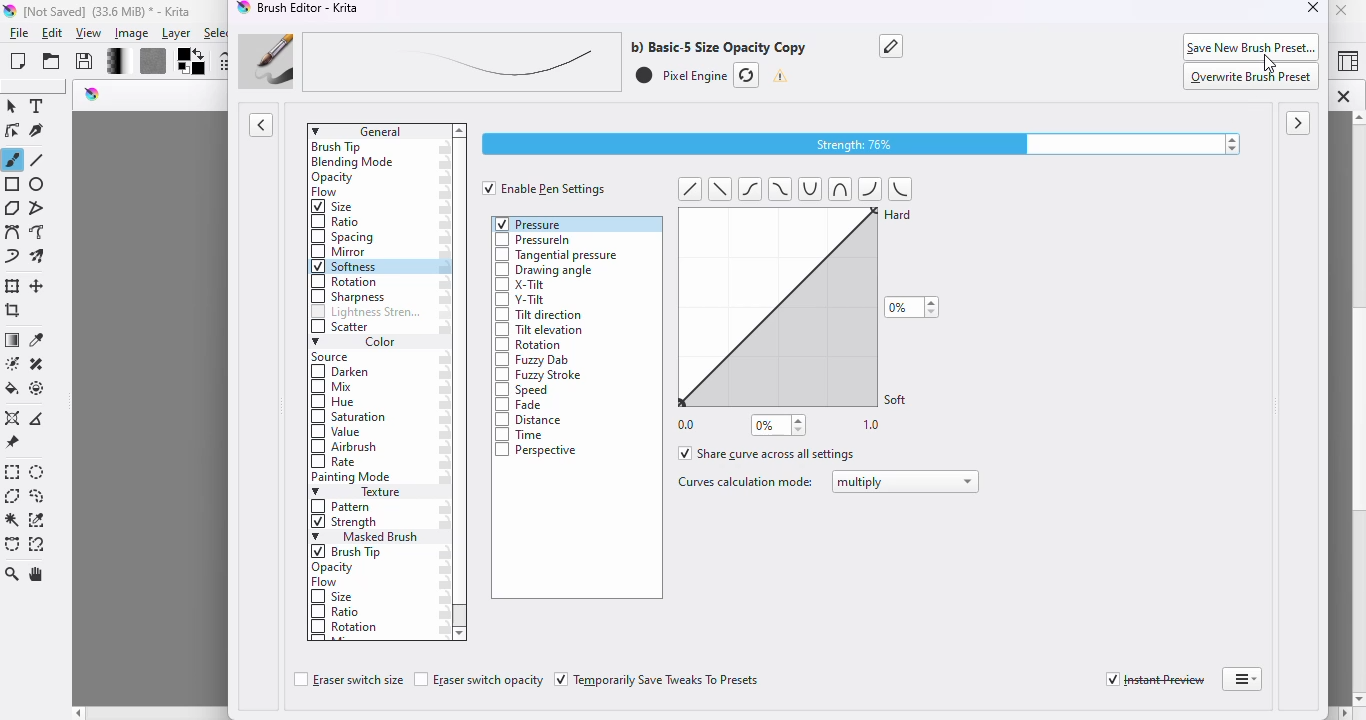 Image resolution: width=1366 pixels, height=720 pixels. I want to click on magnetic curve selection tool, so click(37, 544).